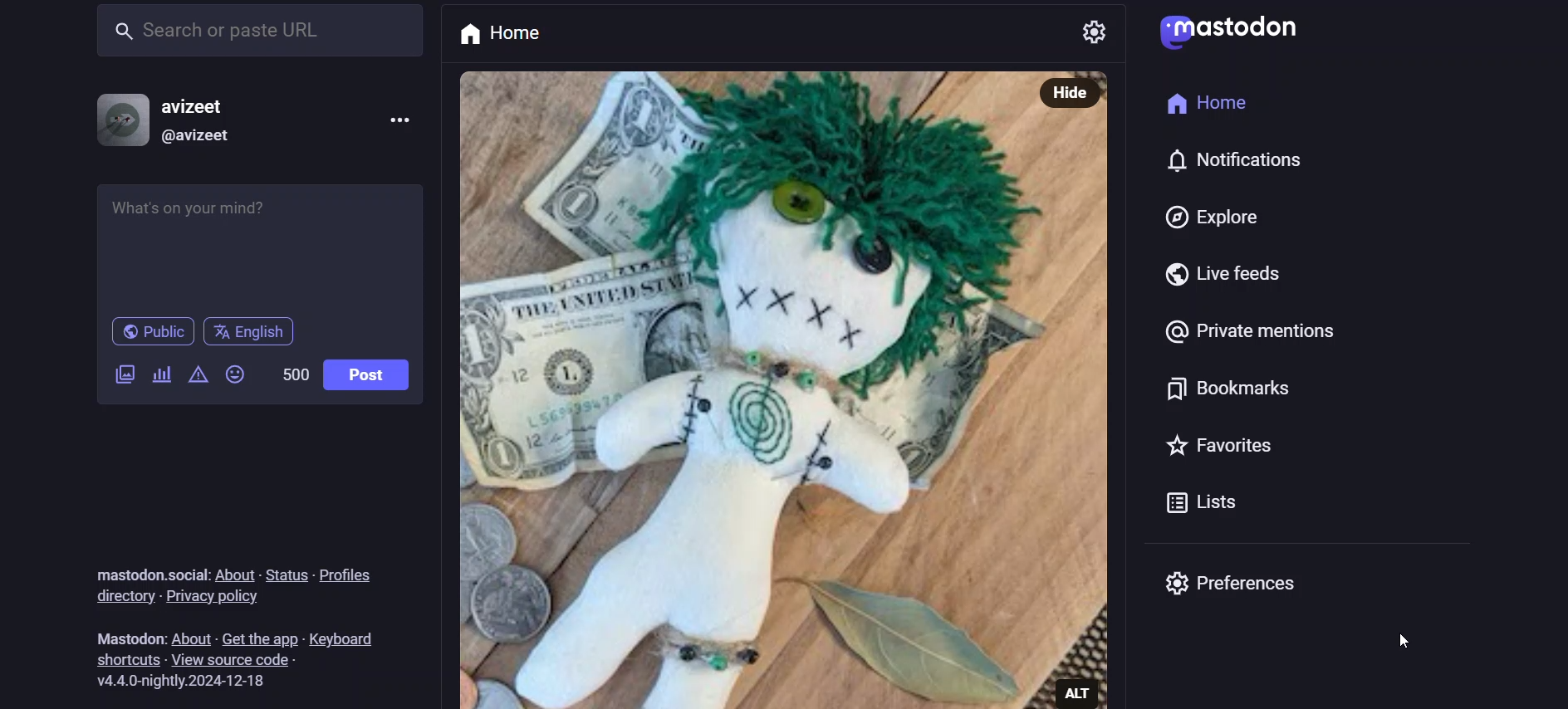  Describe the element at coordinates (294, 371) in the screenshot. I see `500` at that location.